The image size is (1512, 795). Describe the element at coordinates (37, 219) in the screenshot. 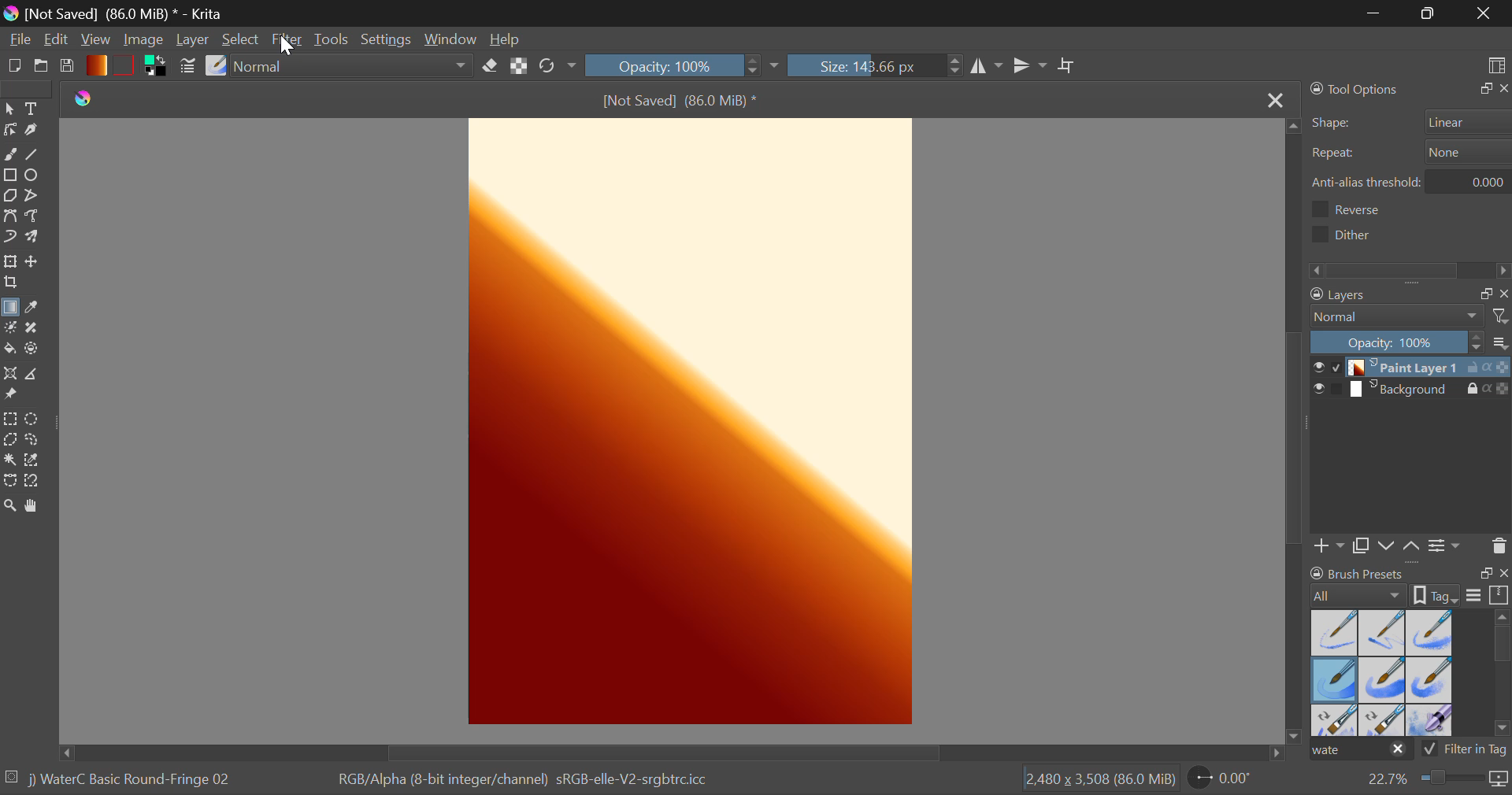

I see `Freehand Path Tool` at that location.